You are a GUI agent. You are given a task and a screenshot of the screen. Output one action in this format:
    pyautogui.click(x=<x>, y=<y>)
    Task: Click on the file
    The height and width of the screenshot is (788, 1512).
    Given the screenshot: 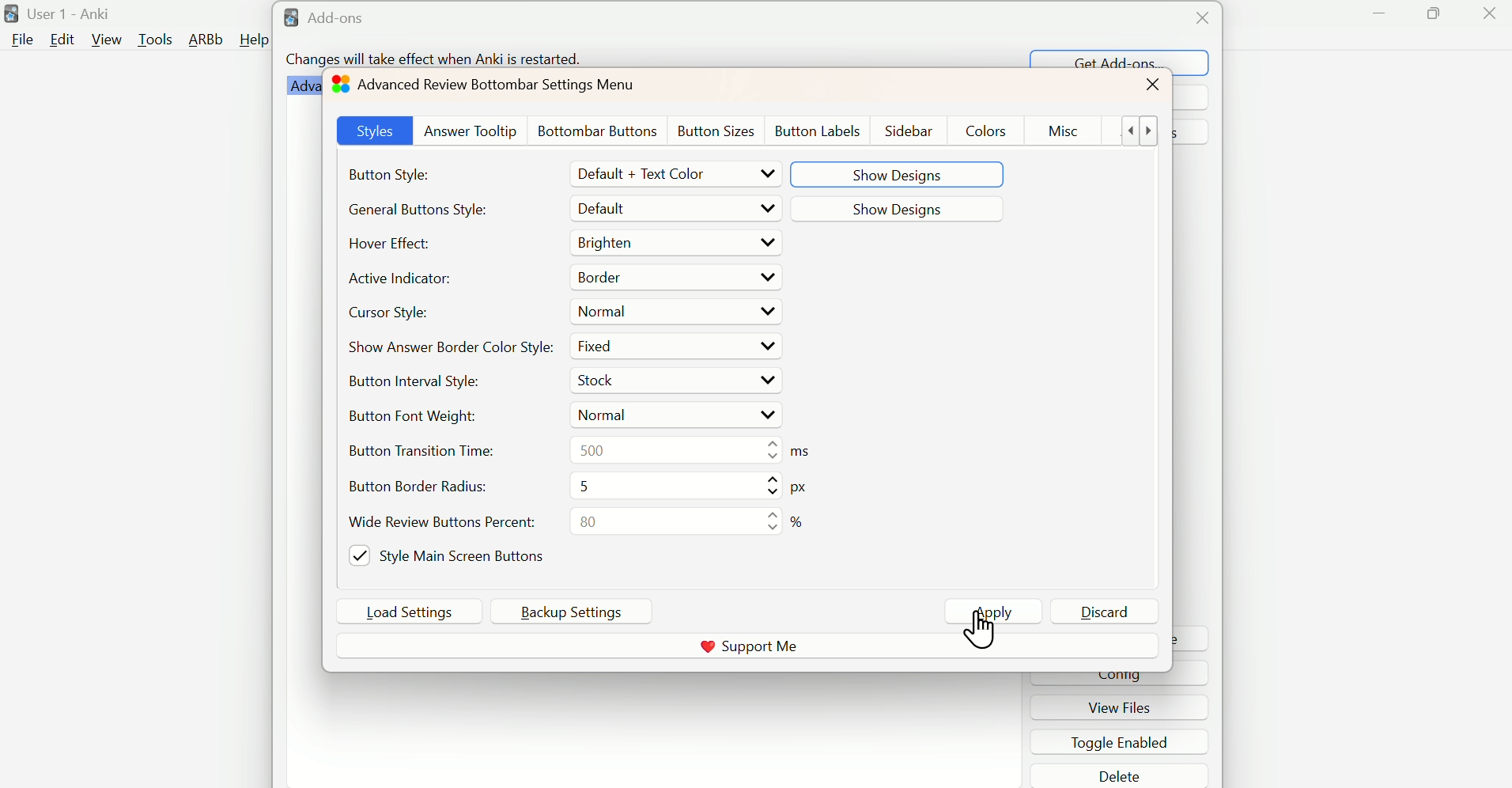 What is the action you would take?
    pyautogui.click(x=19, y=44)
    